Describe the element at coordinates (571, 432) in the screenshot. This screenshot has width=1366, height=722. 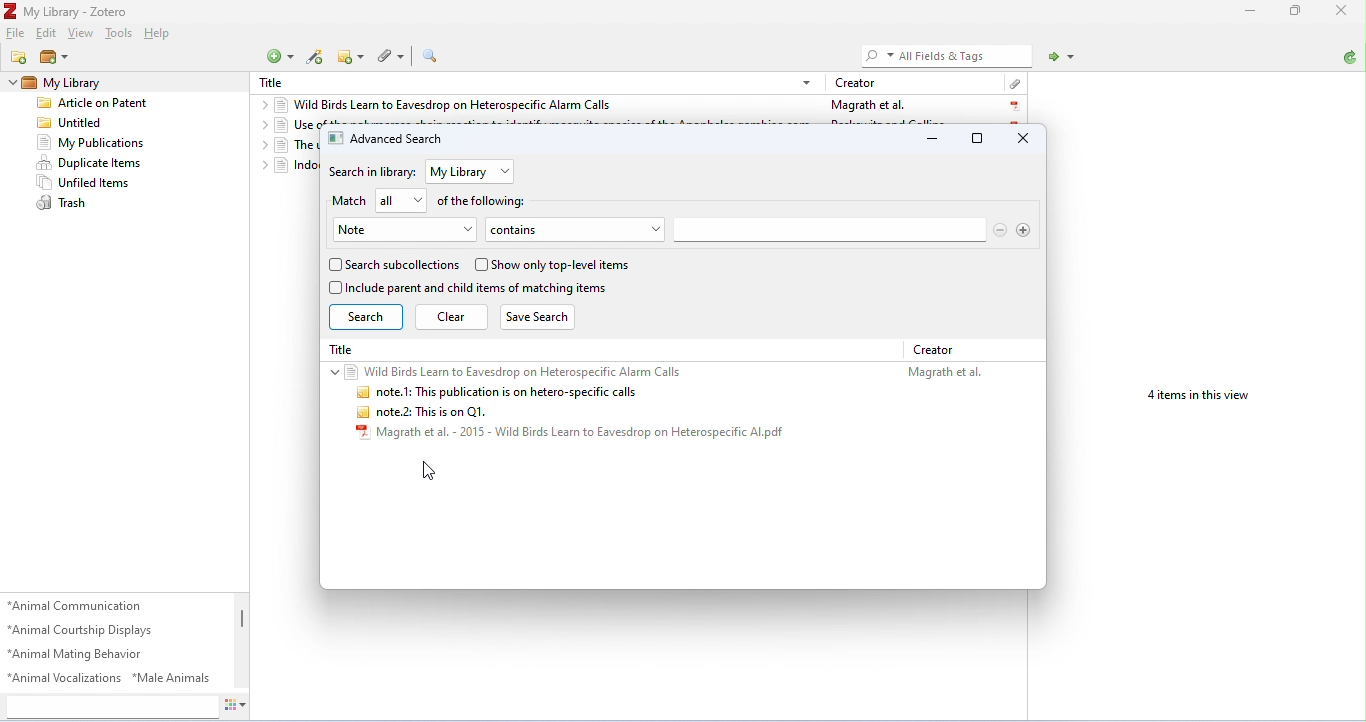
I see `Magrath et al. - 2015 - Wild Birds Learn to Eavesdrop on Heterospecific Al.pdf` at that location.